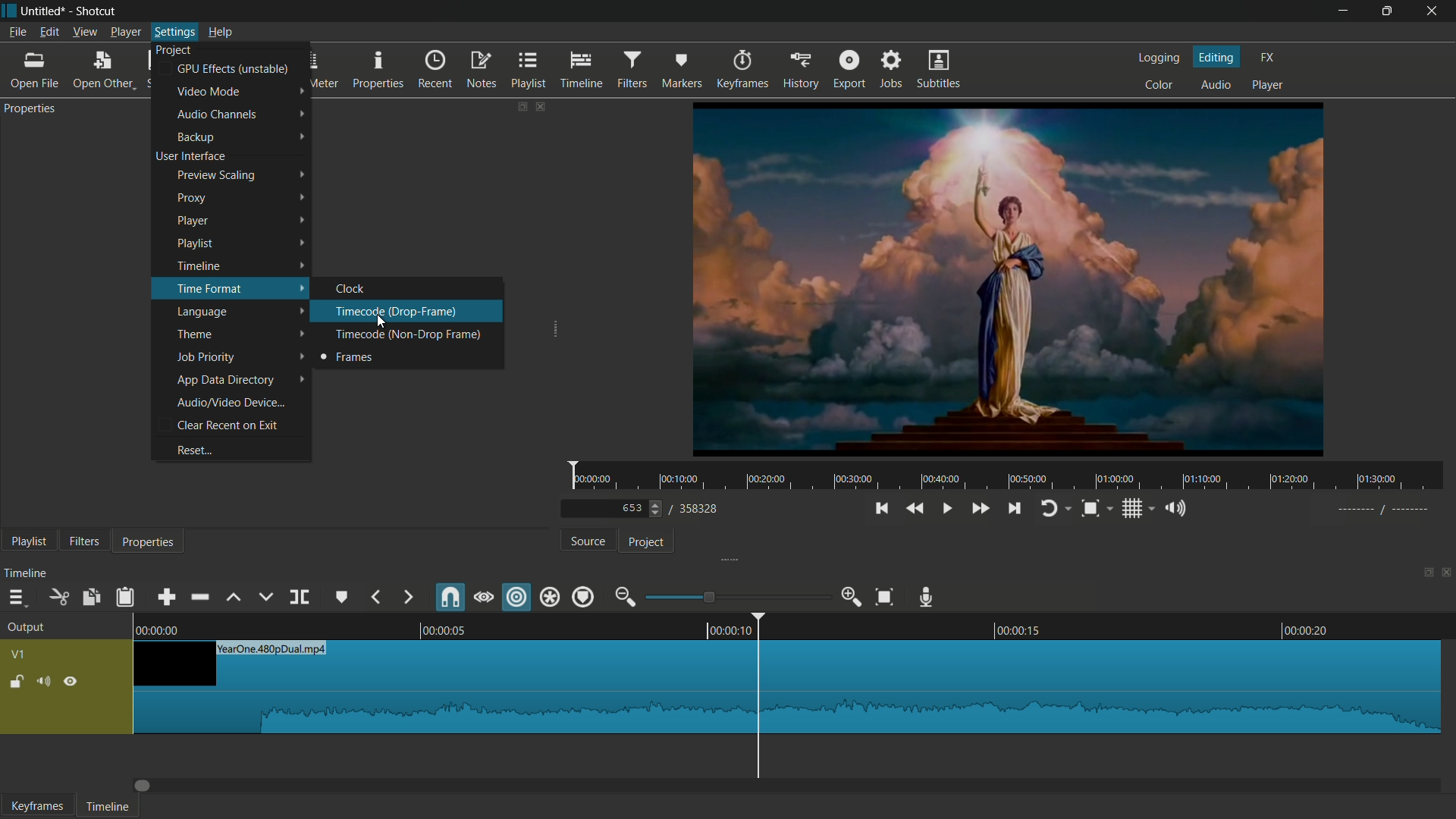  I want to click on cursor, so click(384, 322).